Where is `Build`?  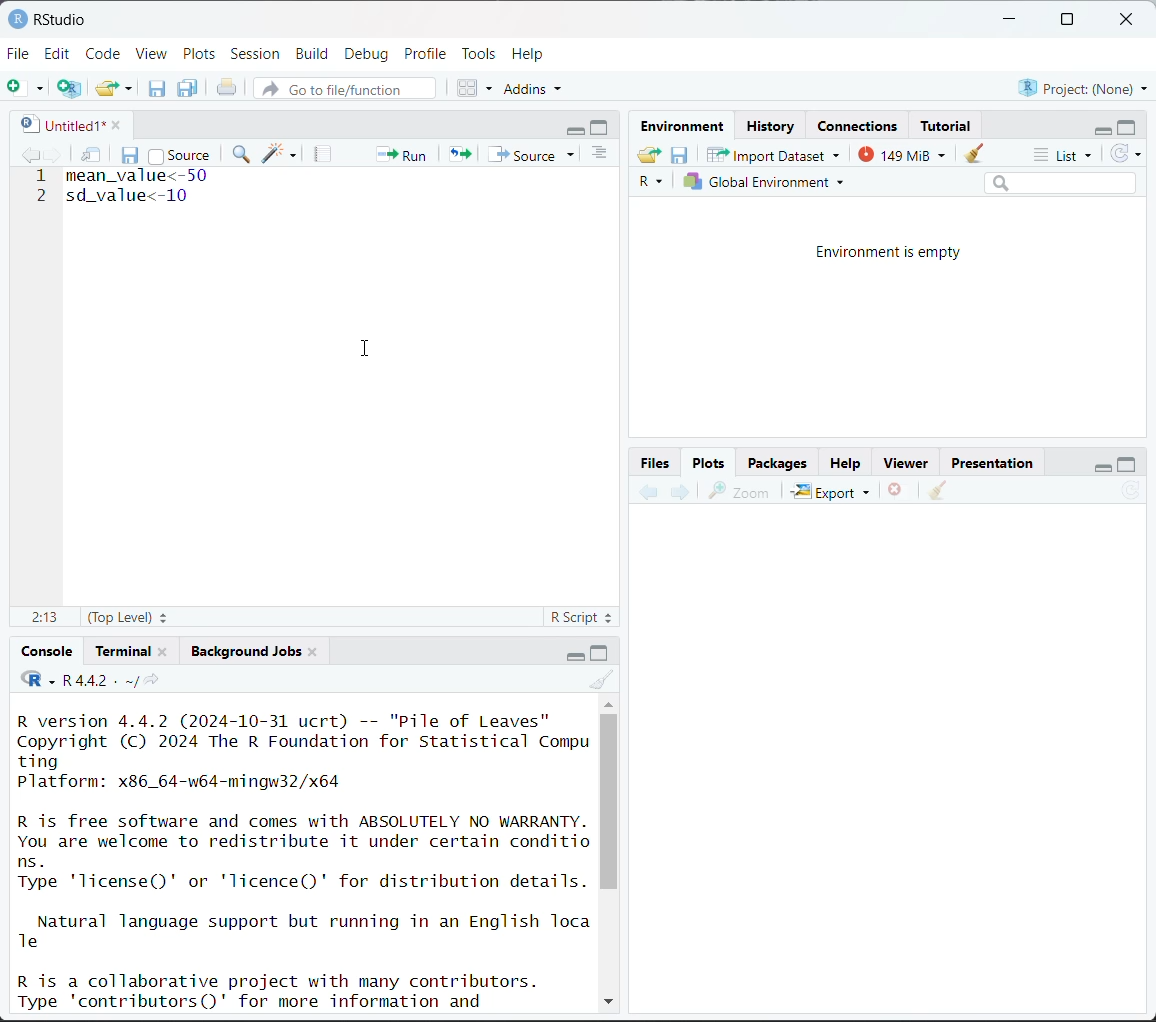
Build is located at coordinates (315, 54).